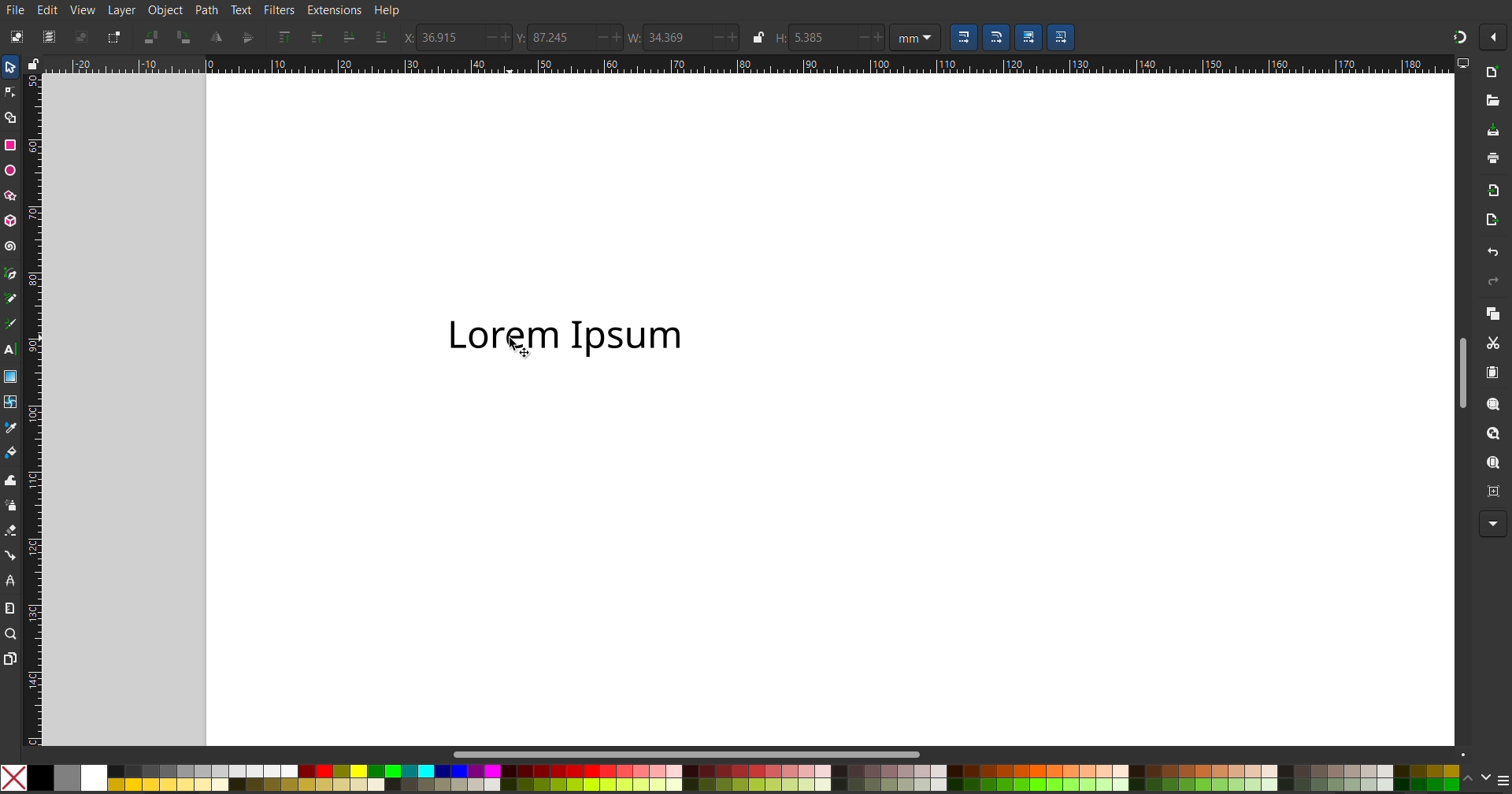  I want to click on New, so click(1494, 73).